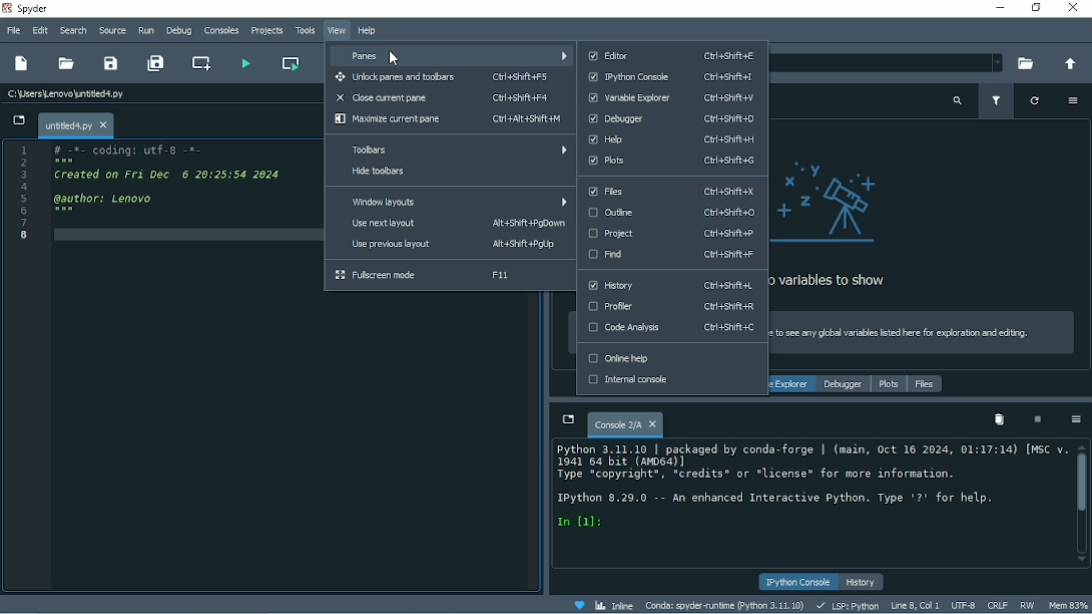 The height and width of the screenshot is (614, 1092). Describe the element at coordinates (29, 9) in the screenshot. I see `Spyder` at that location.